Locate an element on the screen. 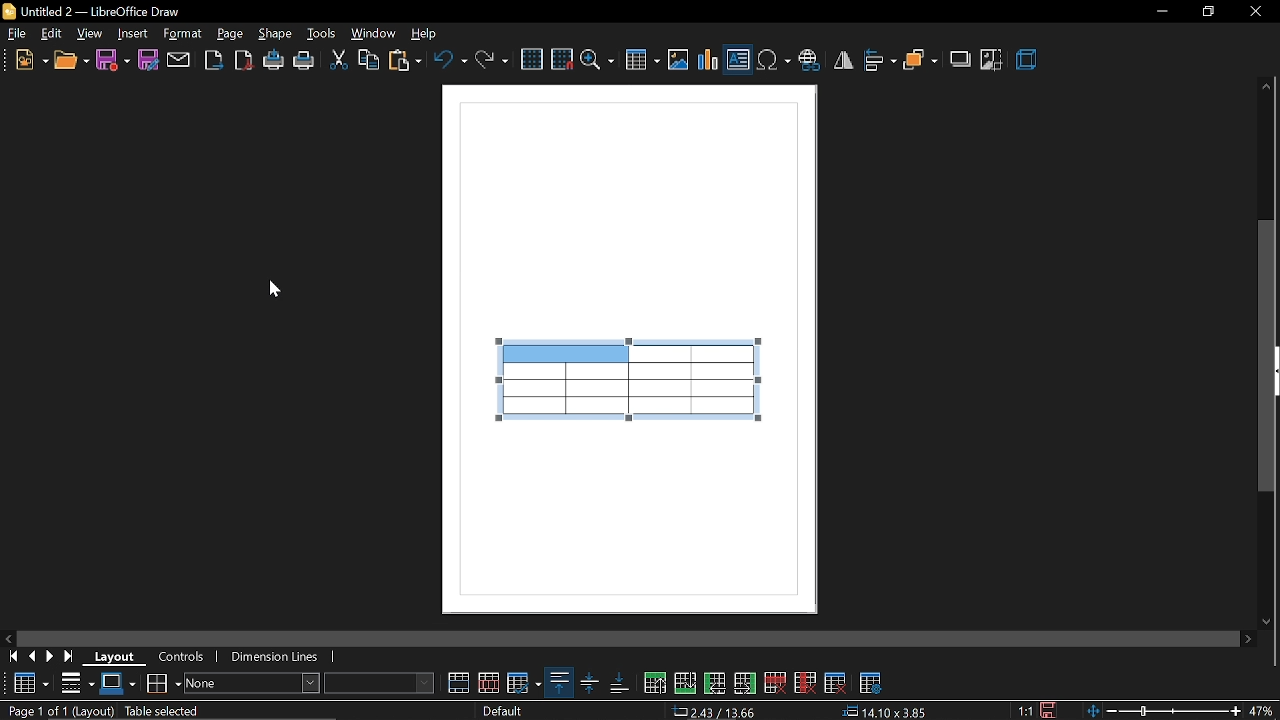  move down is located at coordinates (1265, 620).